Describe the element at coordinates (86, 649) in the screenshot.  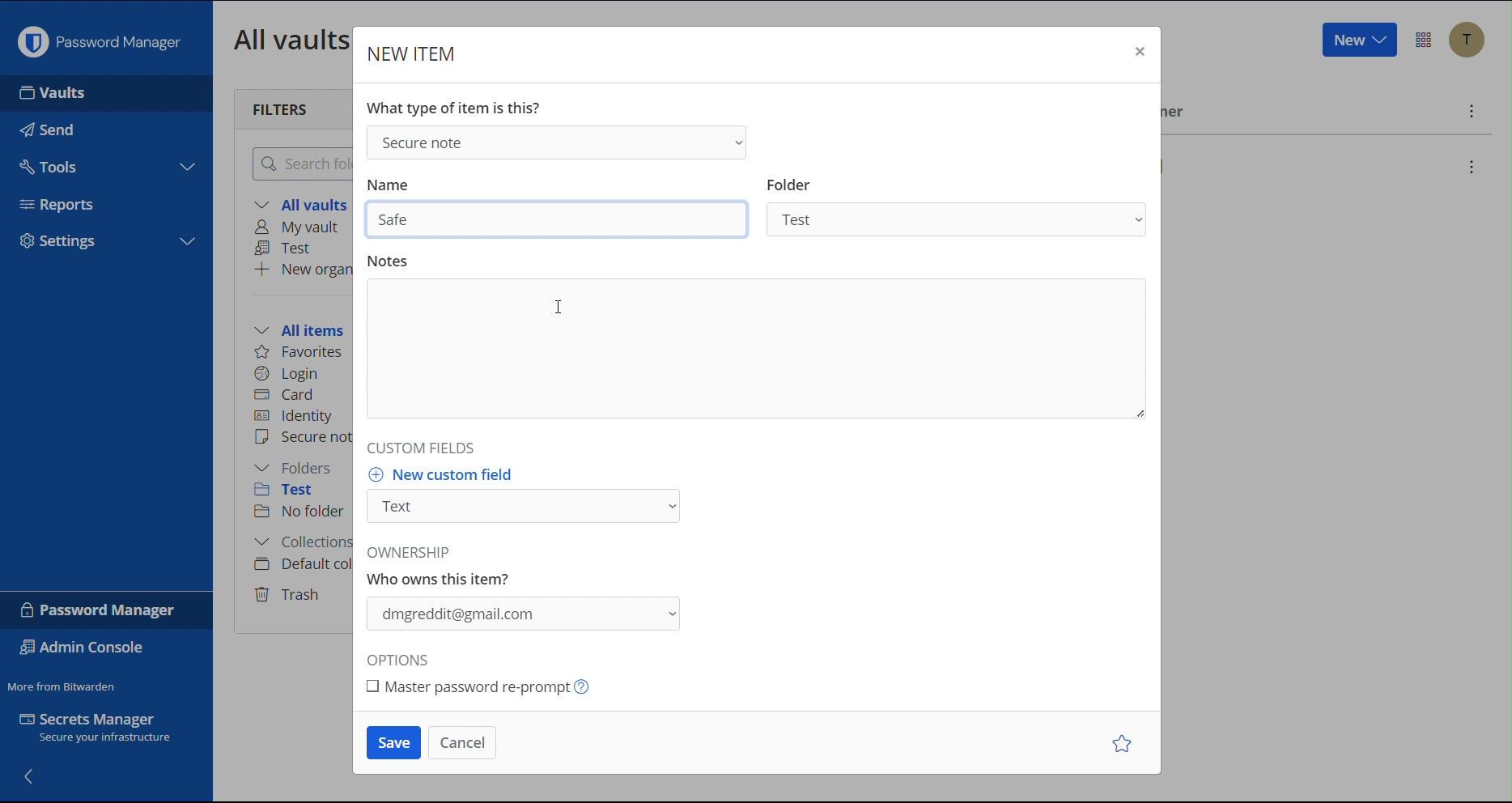
I see `Admin Console` at that location.